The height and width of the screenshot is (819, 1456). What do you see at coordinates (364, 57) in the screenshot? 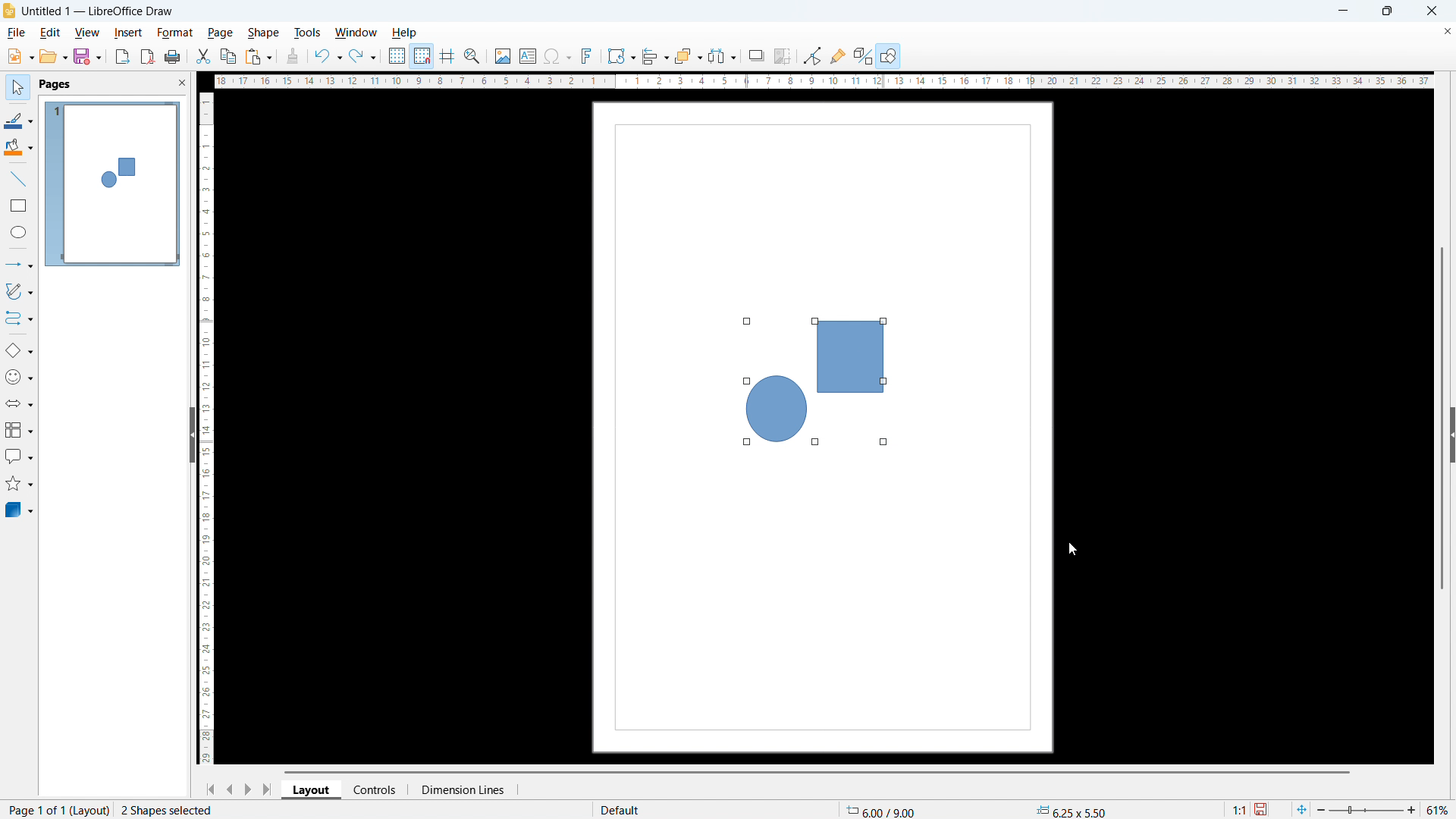
I see `redo` at bounding box center [364, 57].